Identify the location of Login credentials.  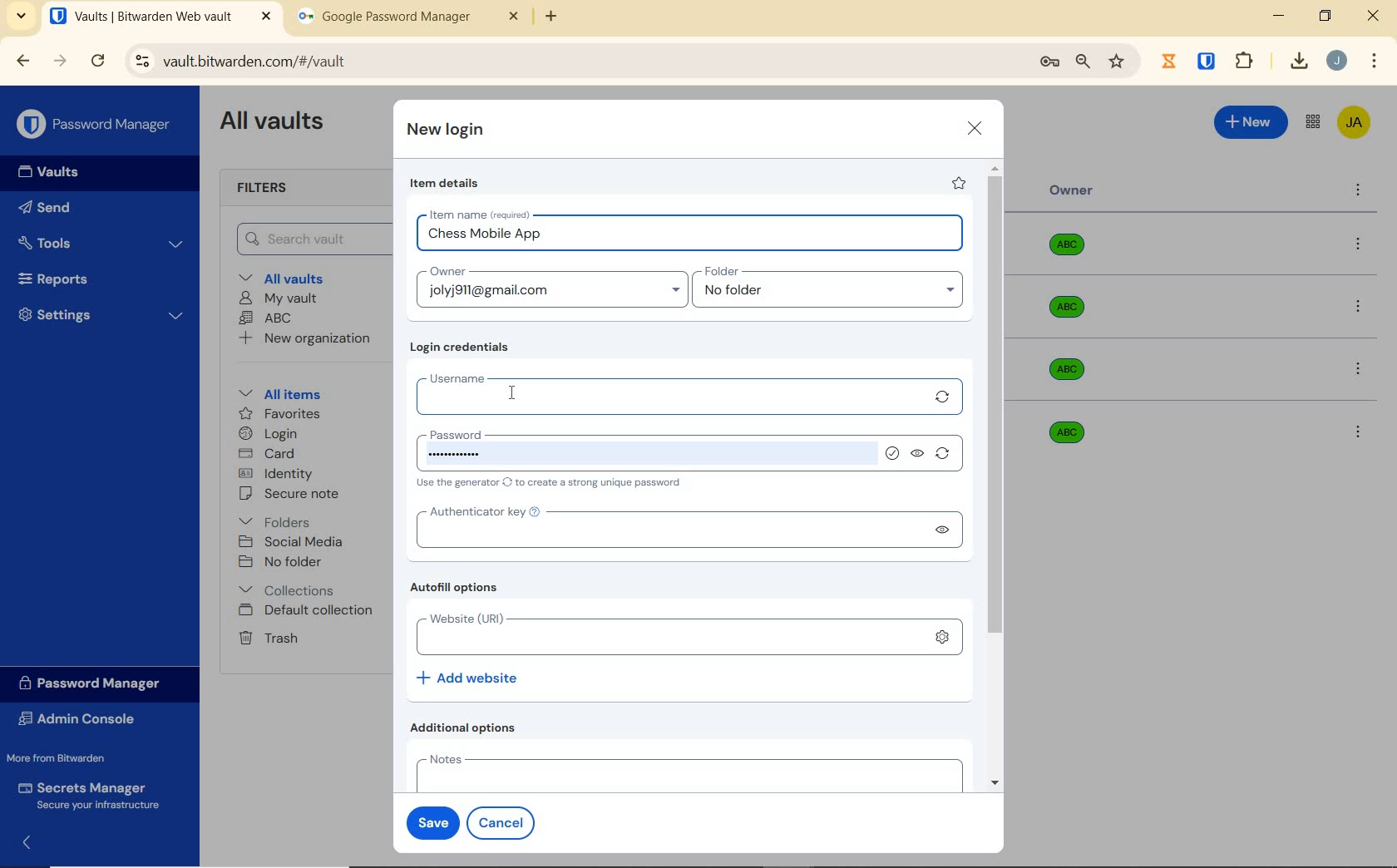
(463, 348).